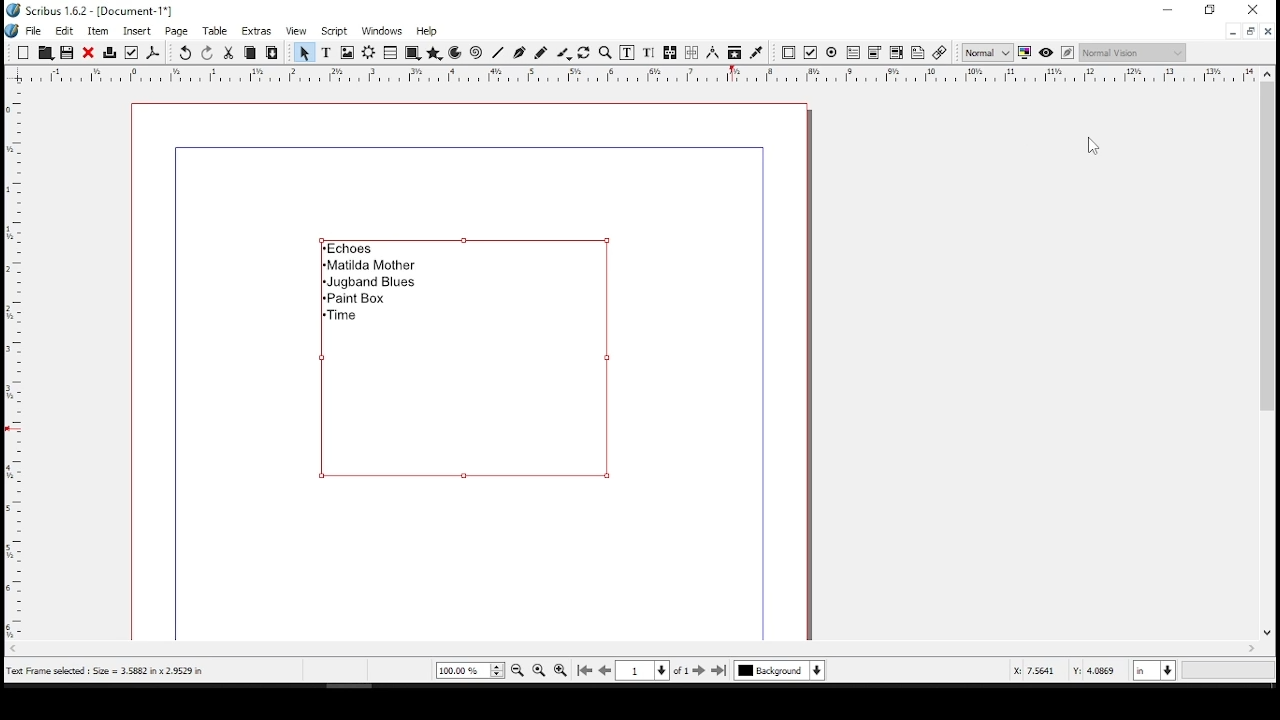 The width and height of the screenshot is (1280, 720). I want to click on render frame, so click(369, 53).